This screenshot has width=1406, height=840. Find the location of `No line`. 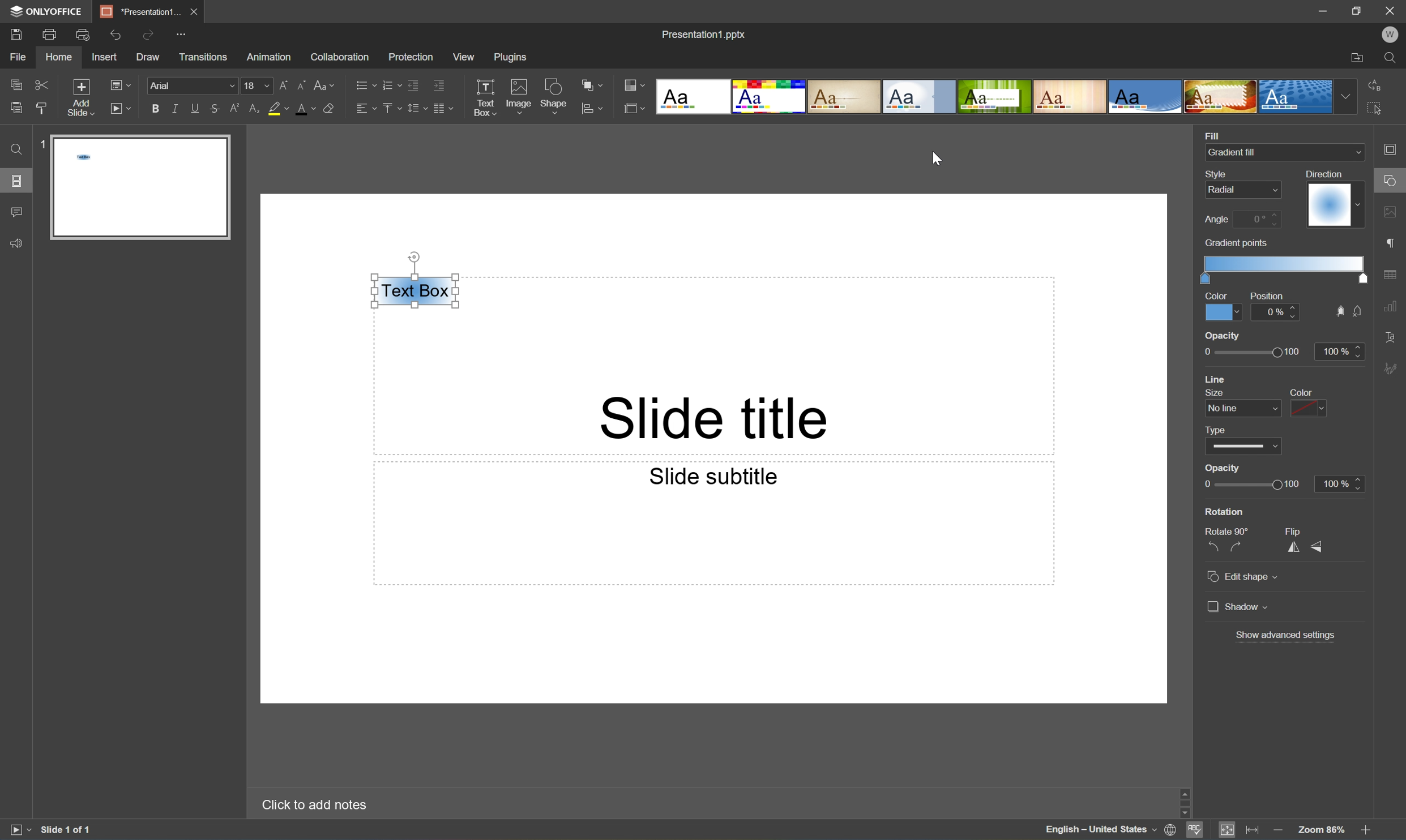

No line is located at coordinates (1241, 408).